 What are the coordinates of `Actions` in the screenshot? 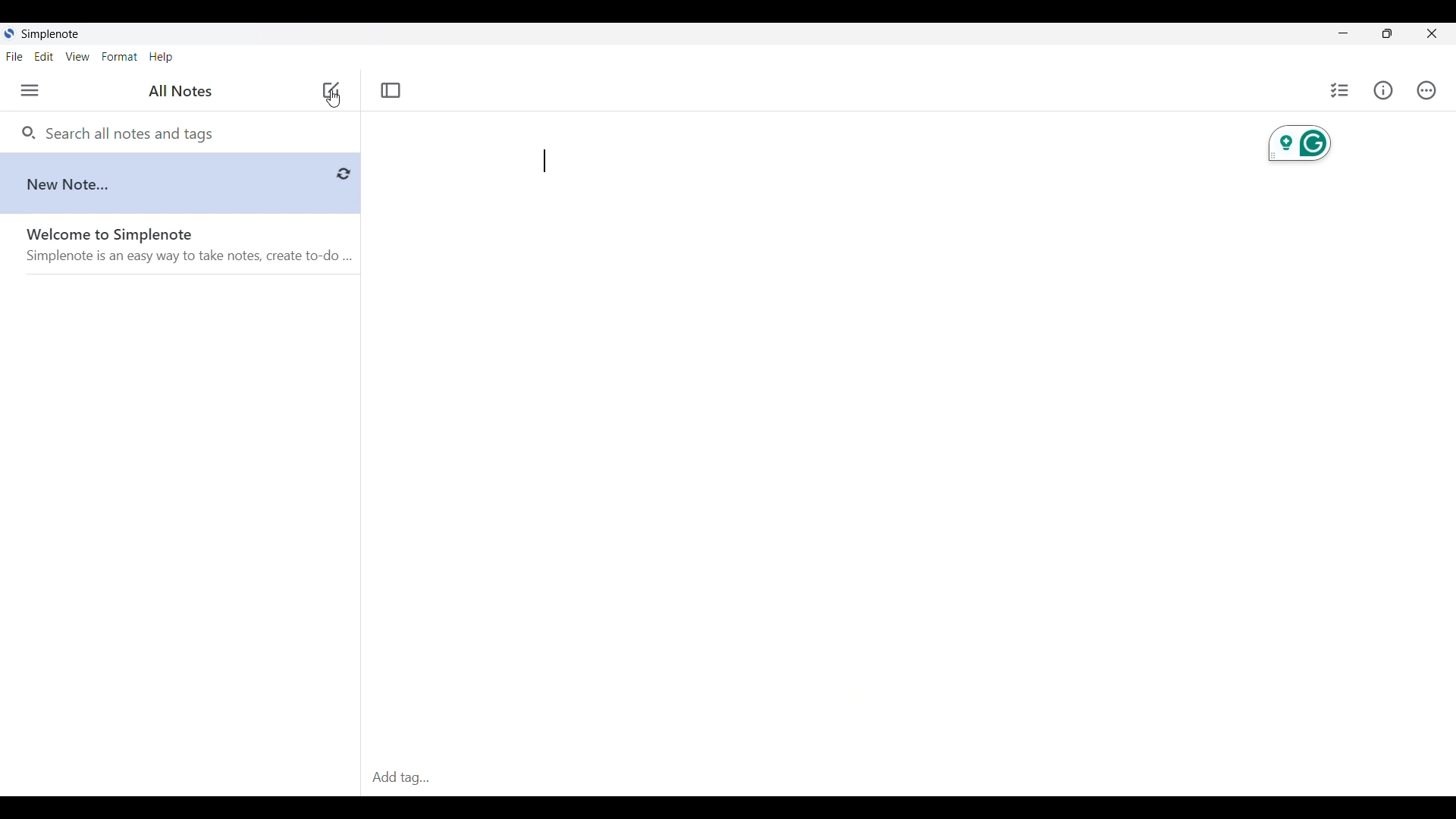 It's located at (1426, 90).